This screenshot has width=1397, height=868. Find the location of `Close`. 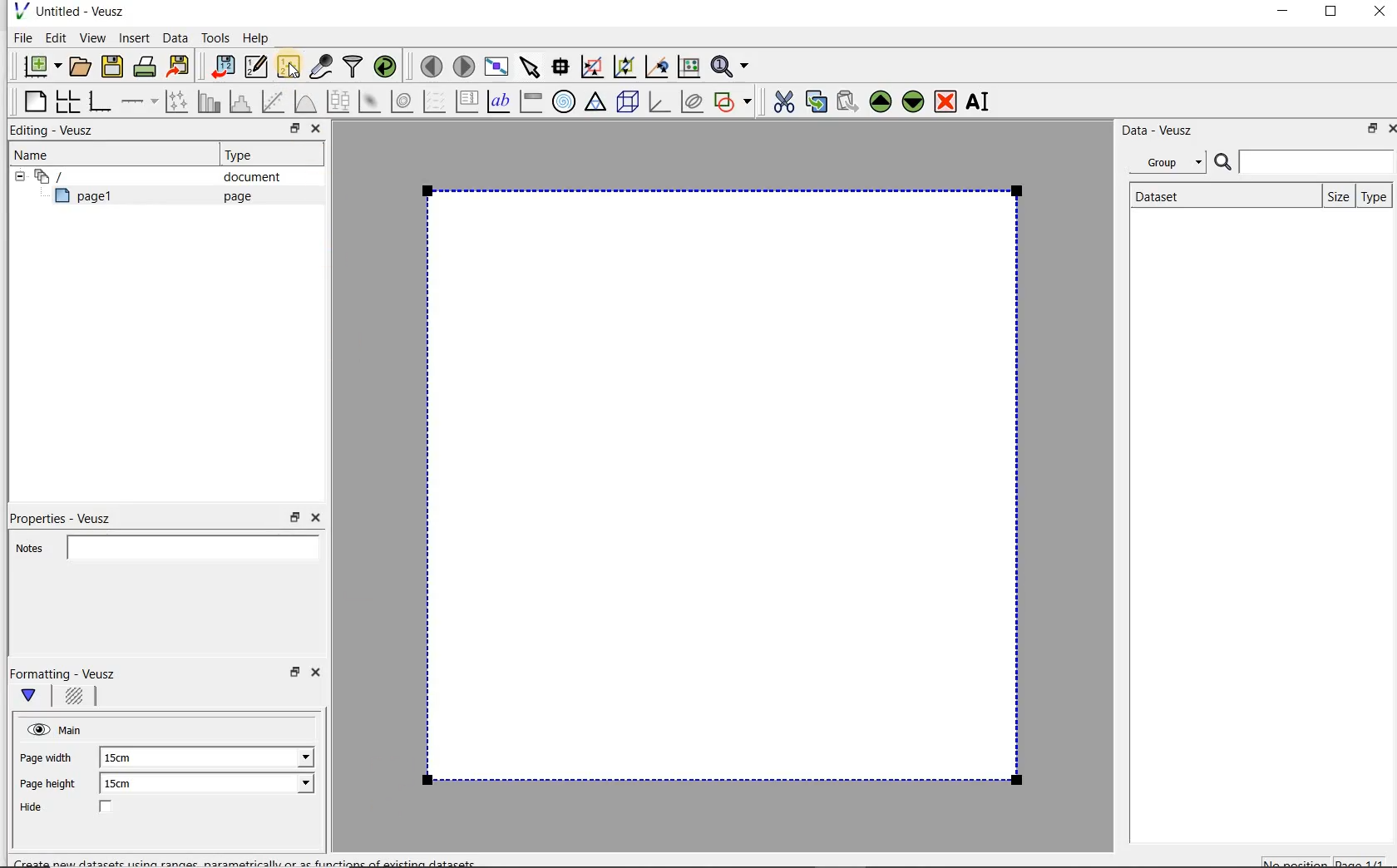

Close is located at coordinates (314, 131).